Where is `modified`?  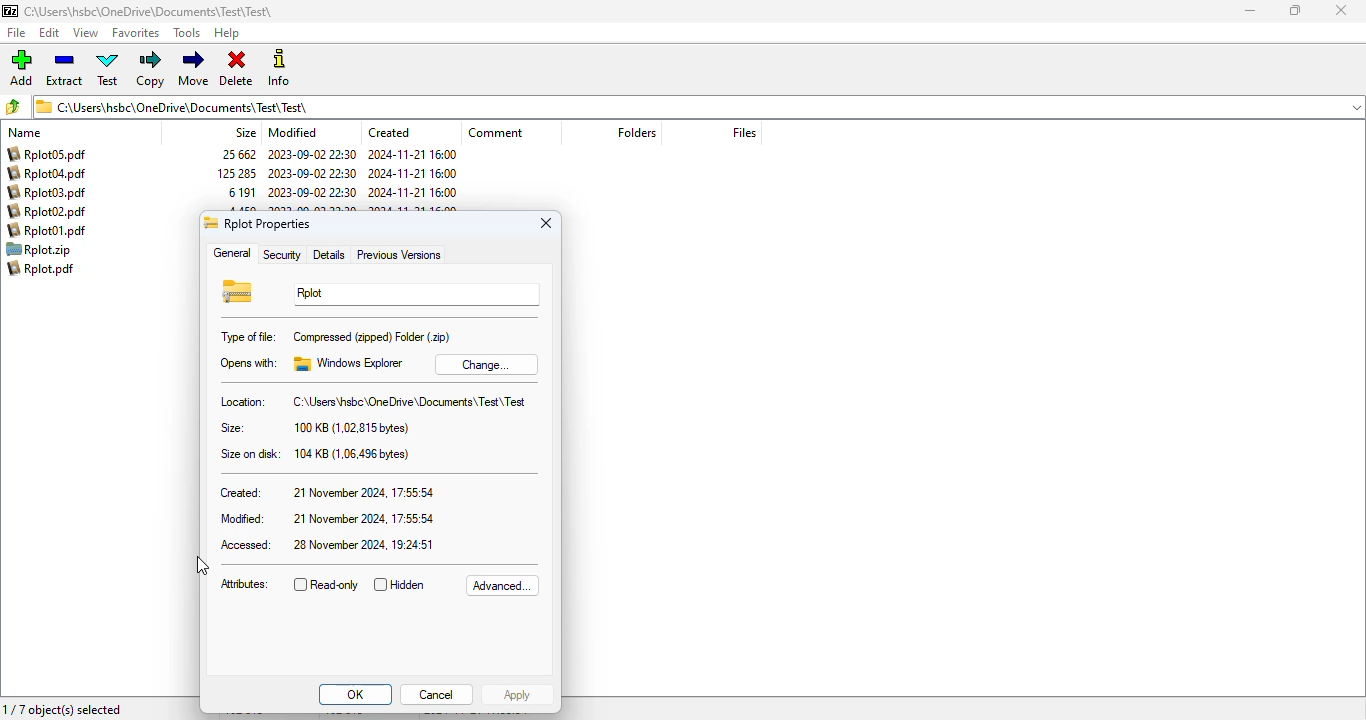
modified is located at coordinates (293, 132).